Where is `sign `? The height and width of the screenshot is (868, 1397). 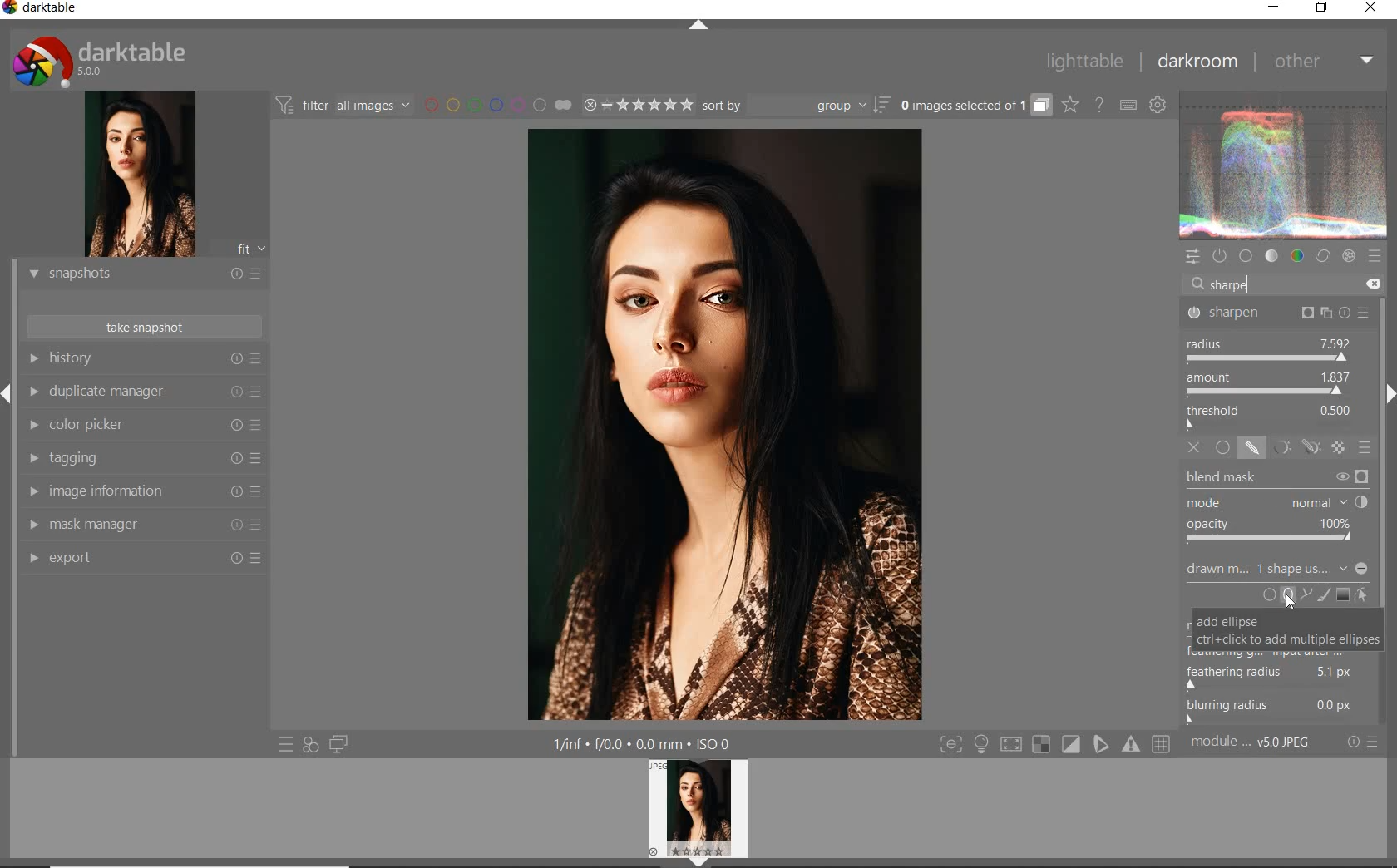
sign  is located at coordinates (1165, 746).